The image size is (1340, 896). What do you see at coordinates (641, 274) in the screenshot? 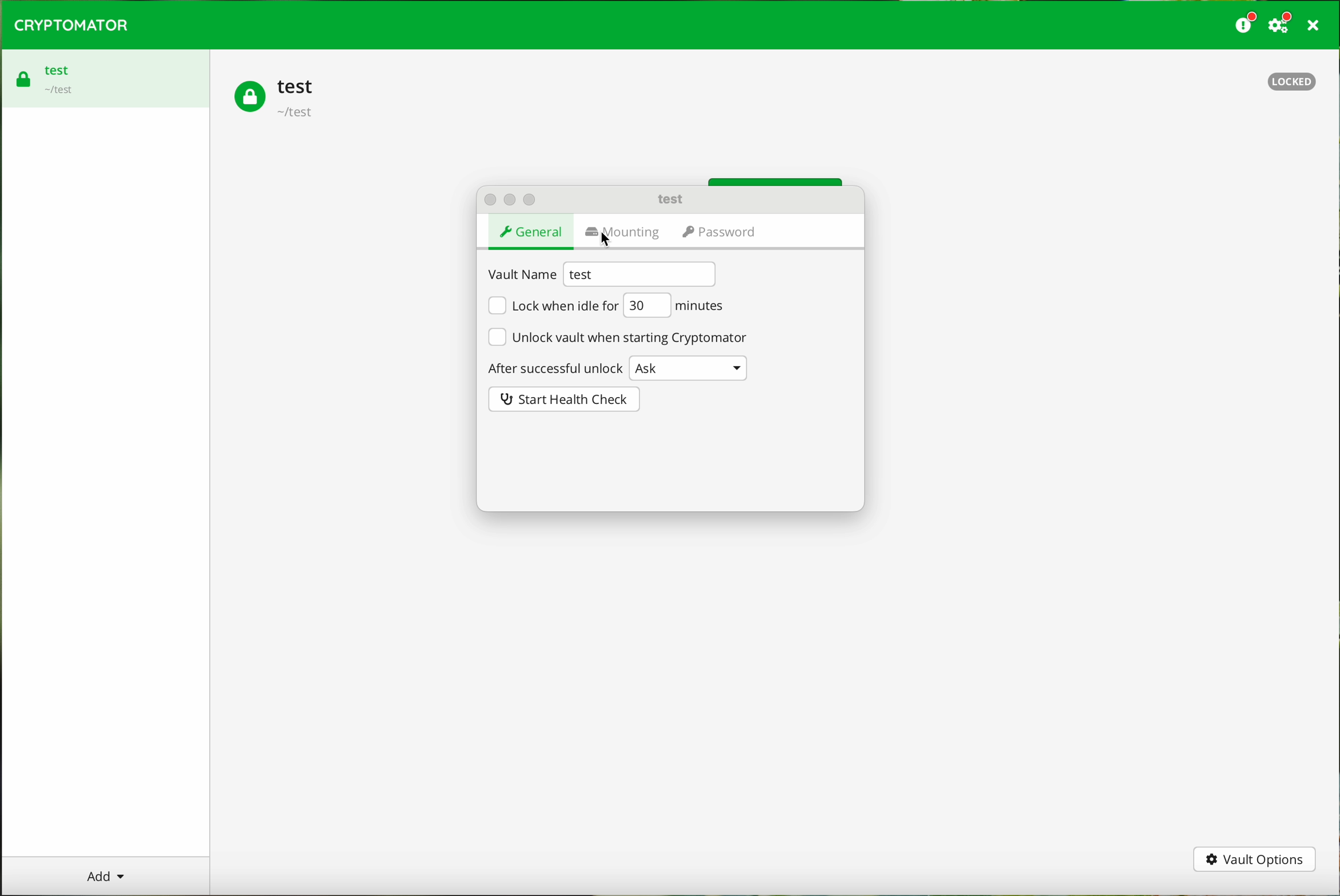
I see `test` at bounding box center [641, 274].